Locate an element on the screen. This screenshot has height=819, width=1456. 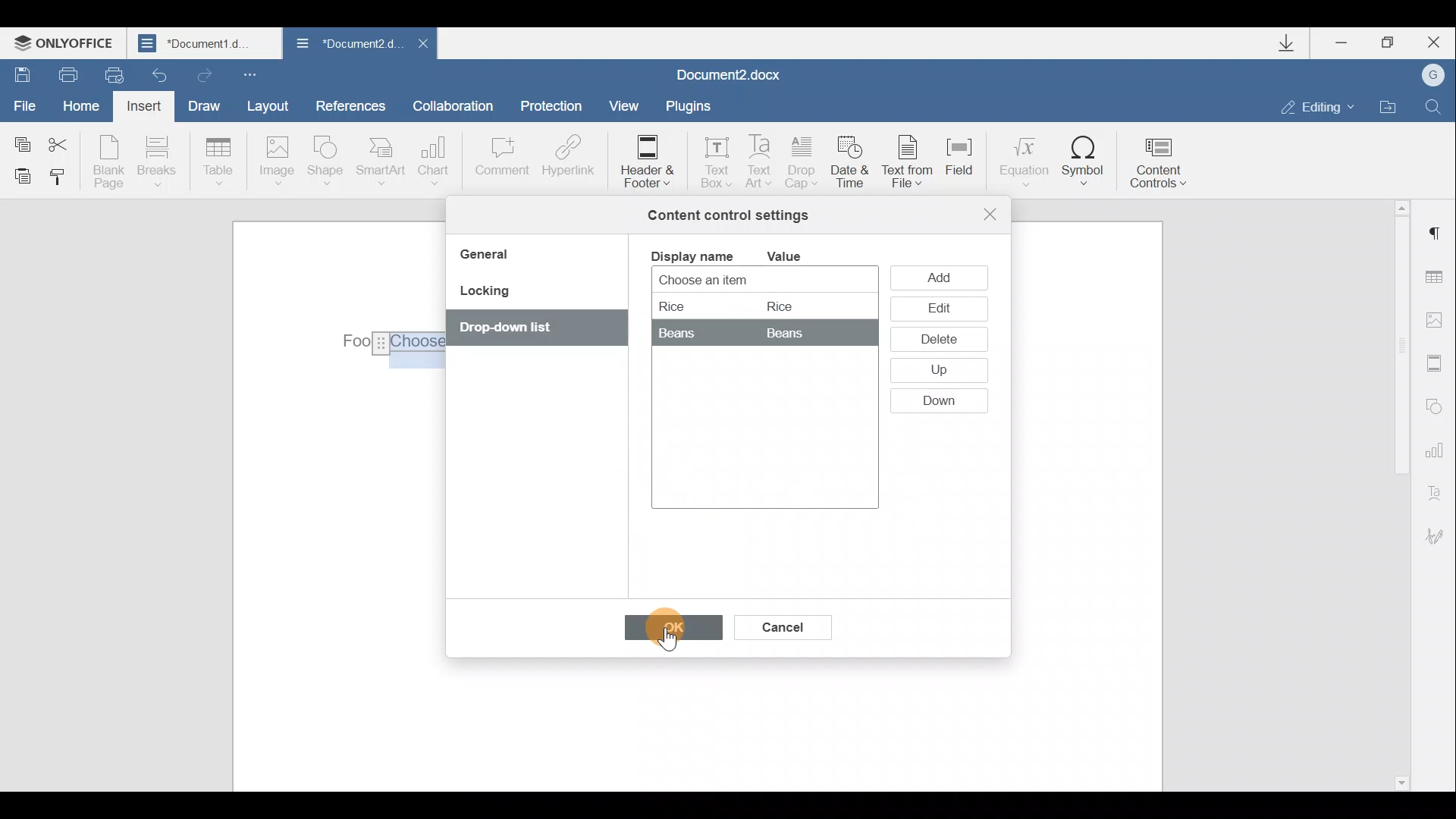
Signature settings is located at coordinates (1441, 536).